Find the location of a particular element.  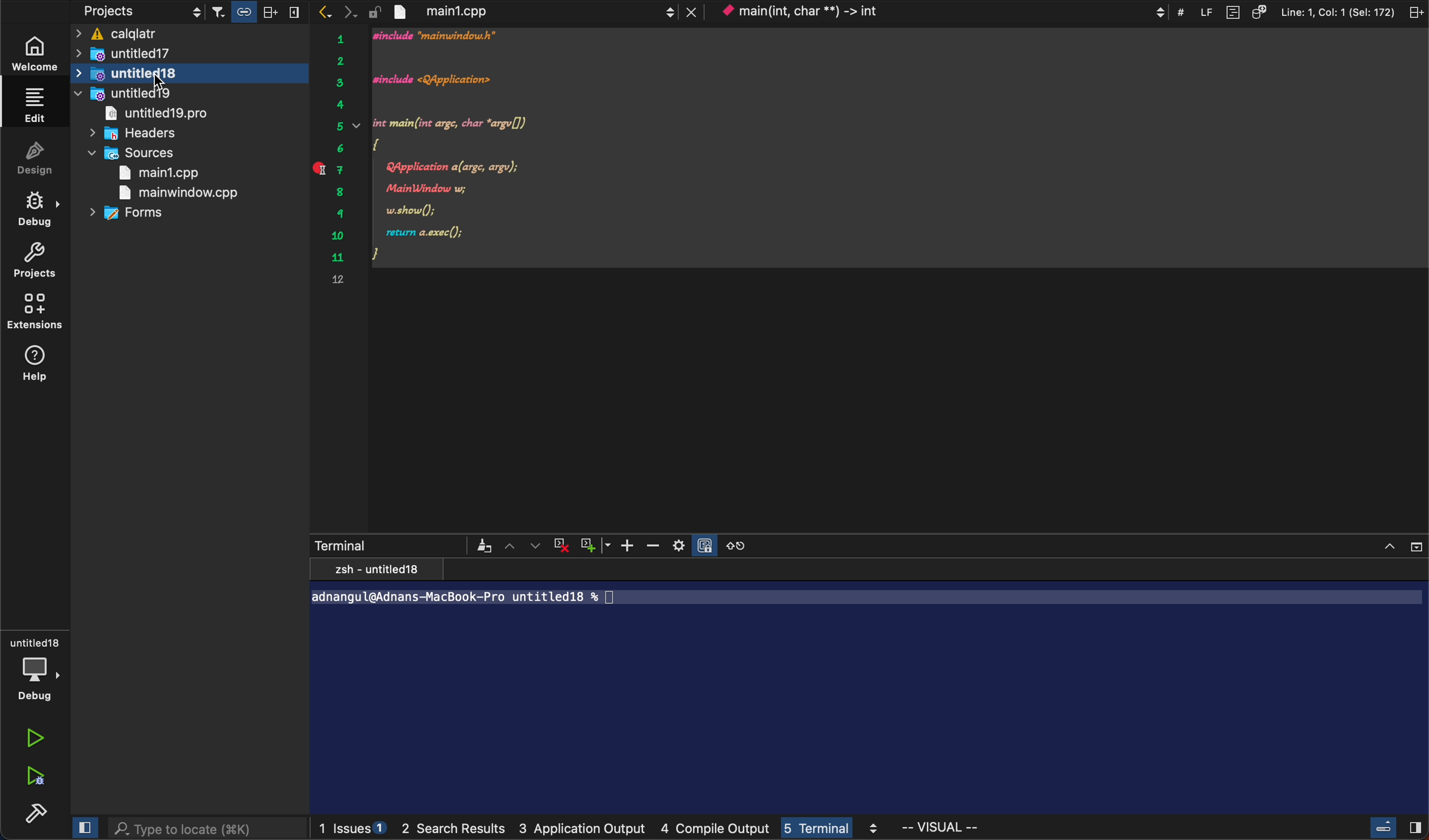

filters is located at coordinates (213, 11).